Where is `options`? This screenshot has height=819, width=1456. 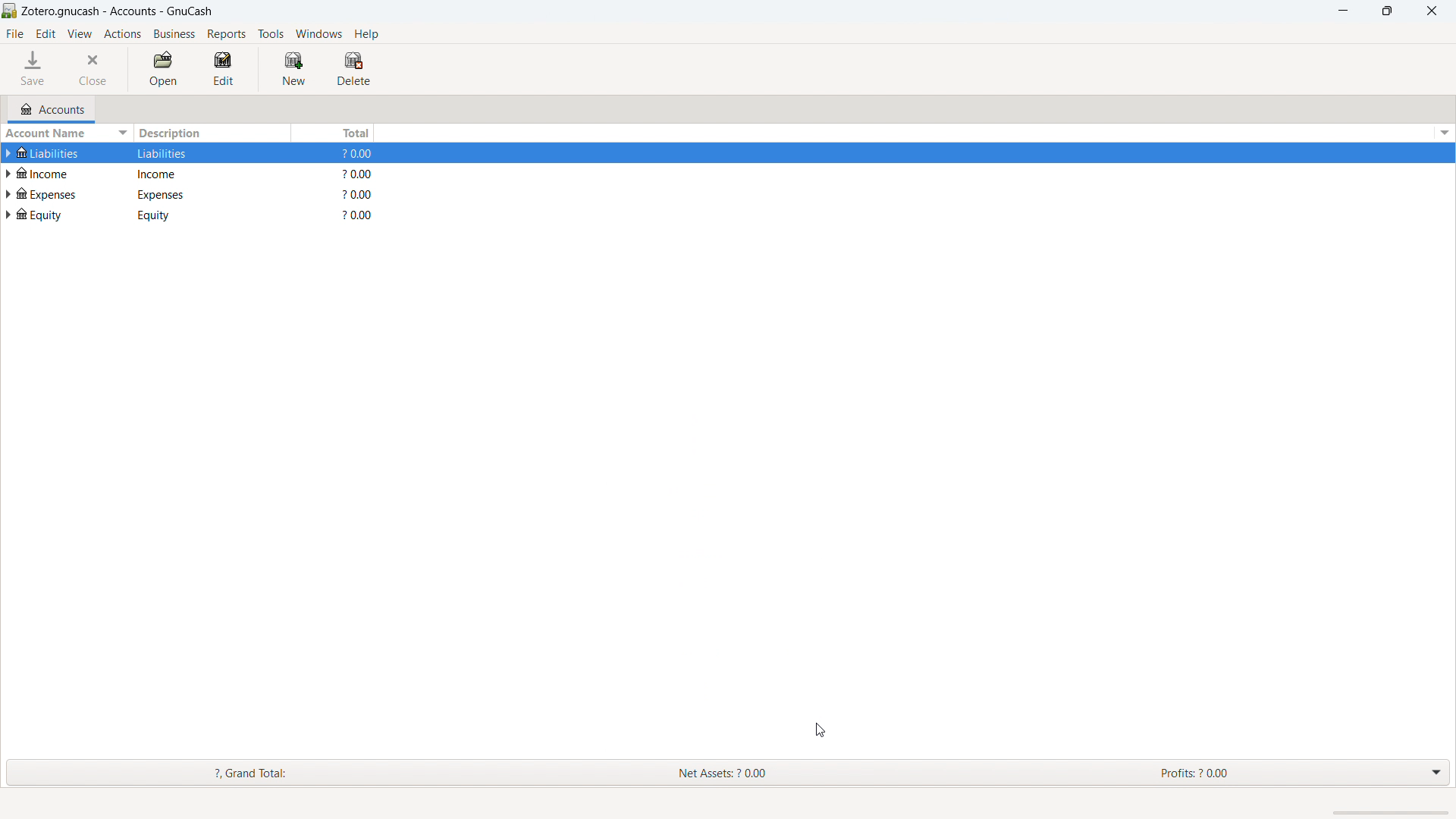 options is located at coordinates (1442, 133).